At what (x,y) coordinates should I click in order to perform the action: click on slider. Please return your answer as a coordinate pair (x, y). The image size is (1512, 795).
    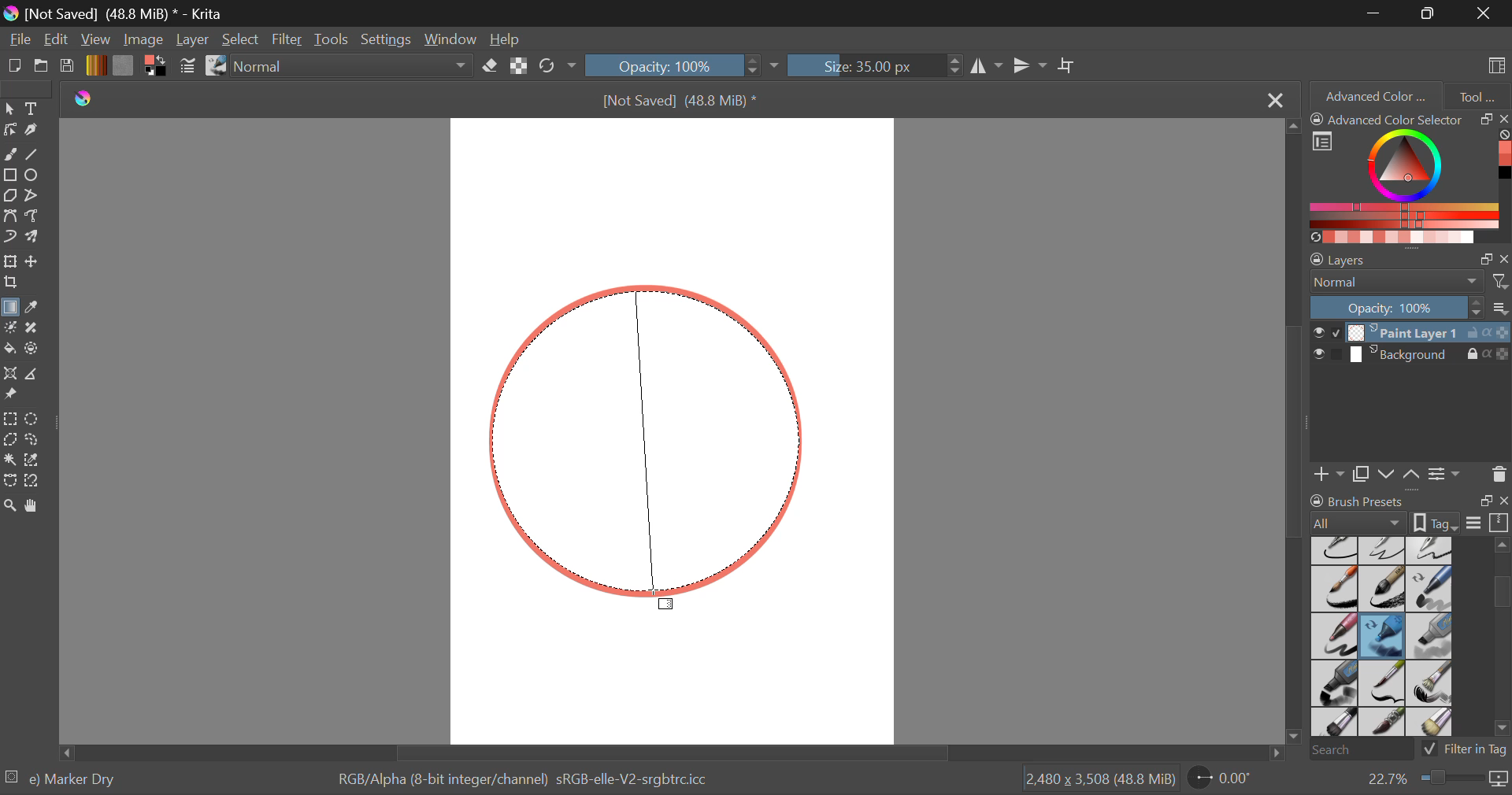
    Looking at the image, I should click on (1497, 641).